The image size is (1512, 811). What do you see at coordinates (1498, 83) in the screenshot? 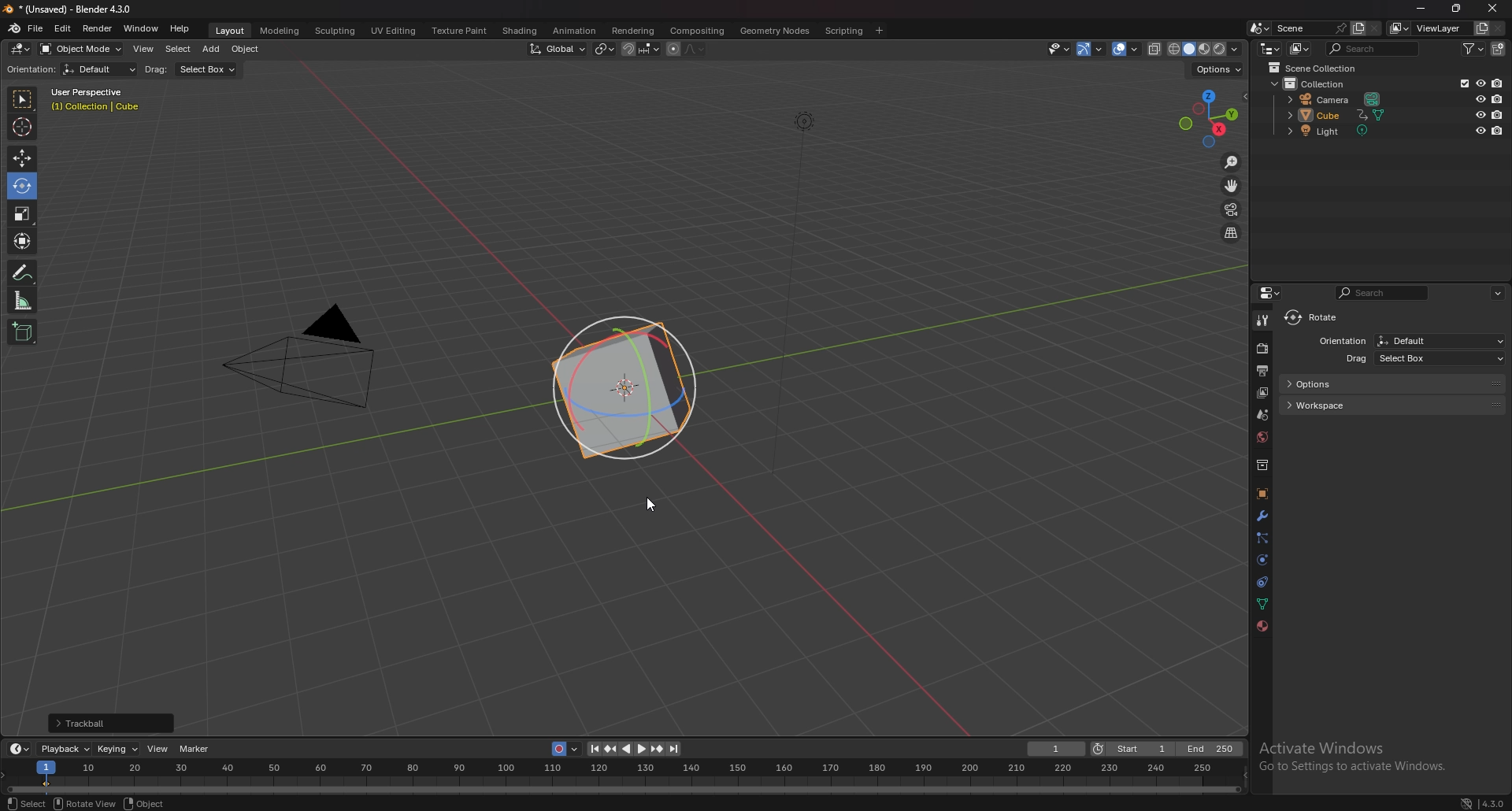
I see `disable in render` at bounding box center [1498, 83].